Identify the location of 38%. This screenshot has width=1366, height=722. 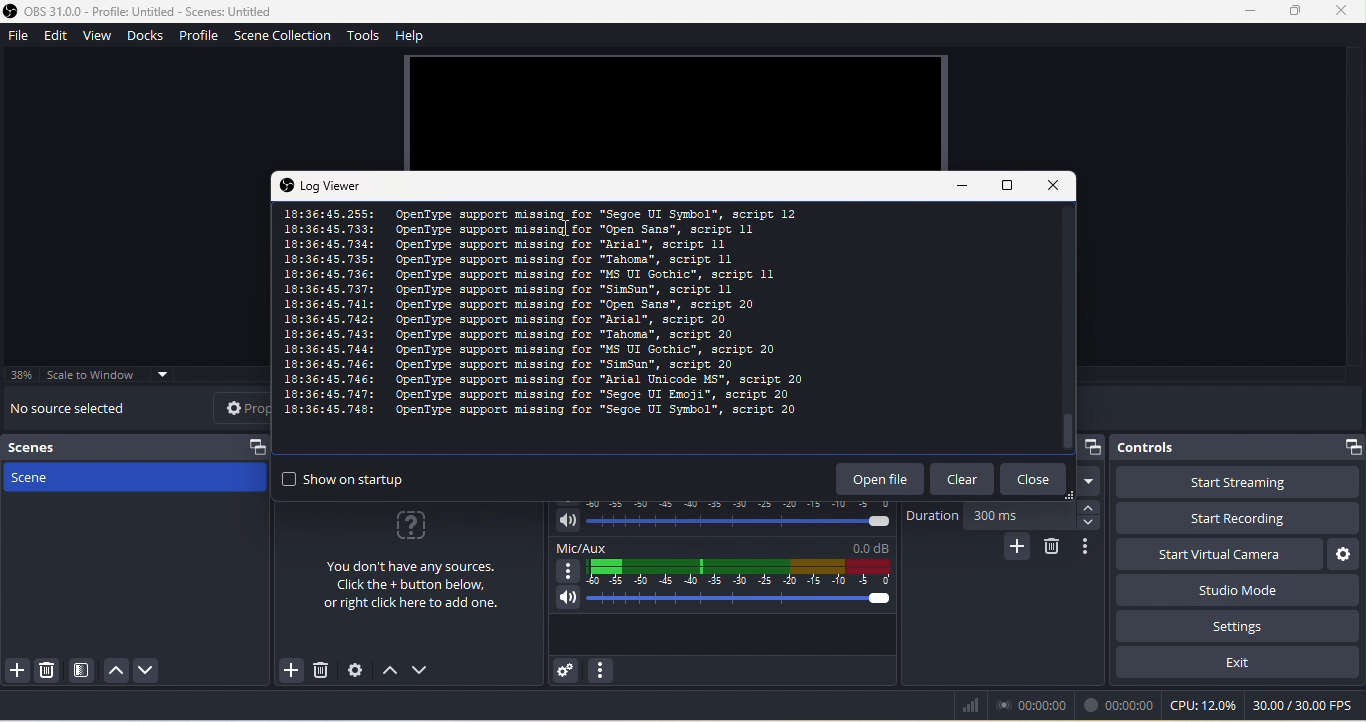
(23, 375).